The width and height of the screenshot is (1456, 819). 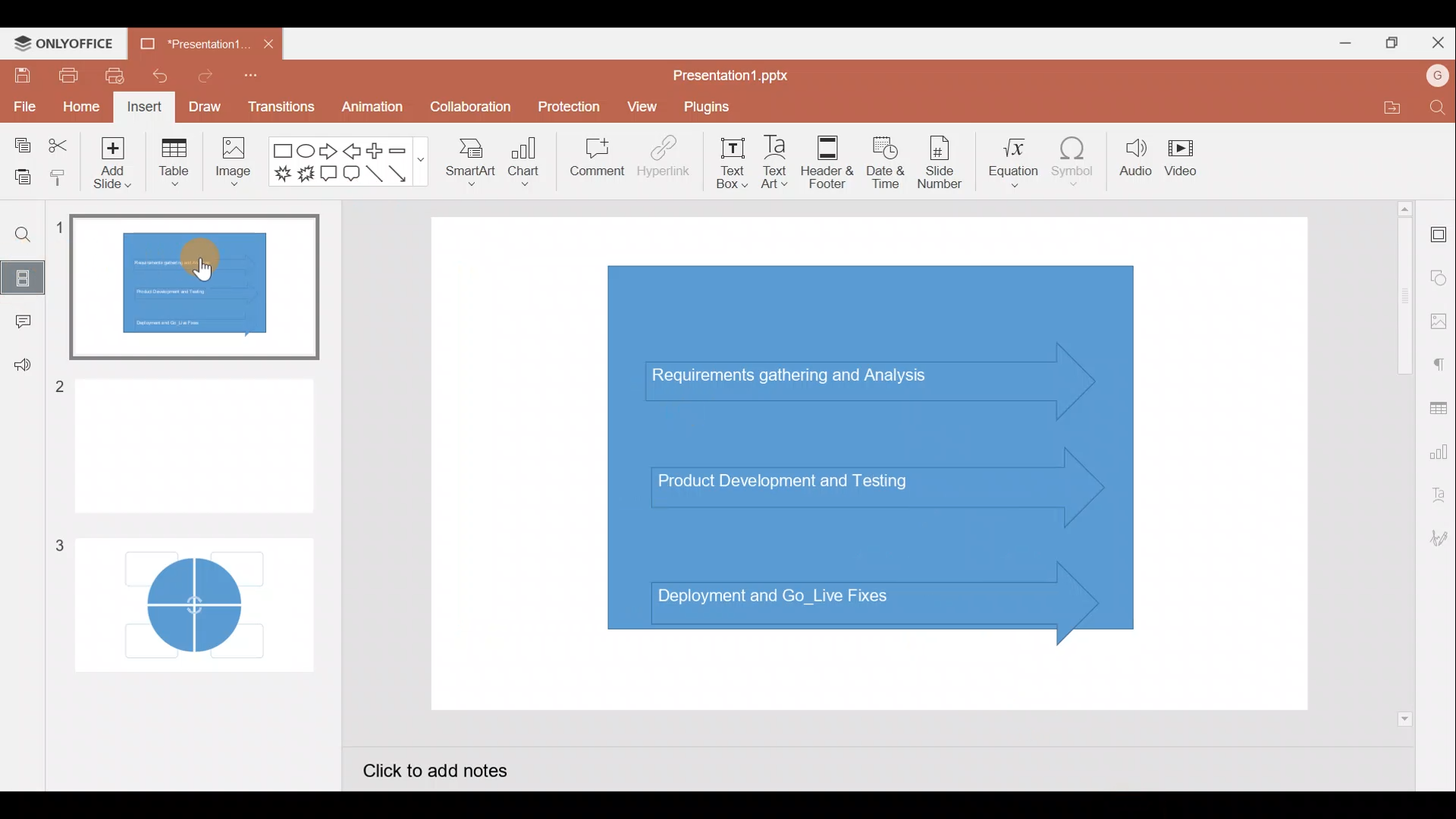 What do you see at coordinates (406, 151) in the screenshot?
I see `Minus` at bounding box center [406, 151].